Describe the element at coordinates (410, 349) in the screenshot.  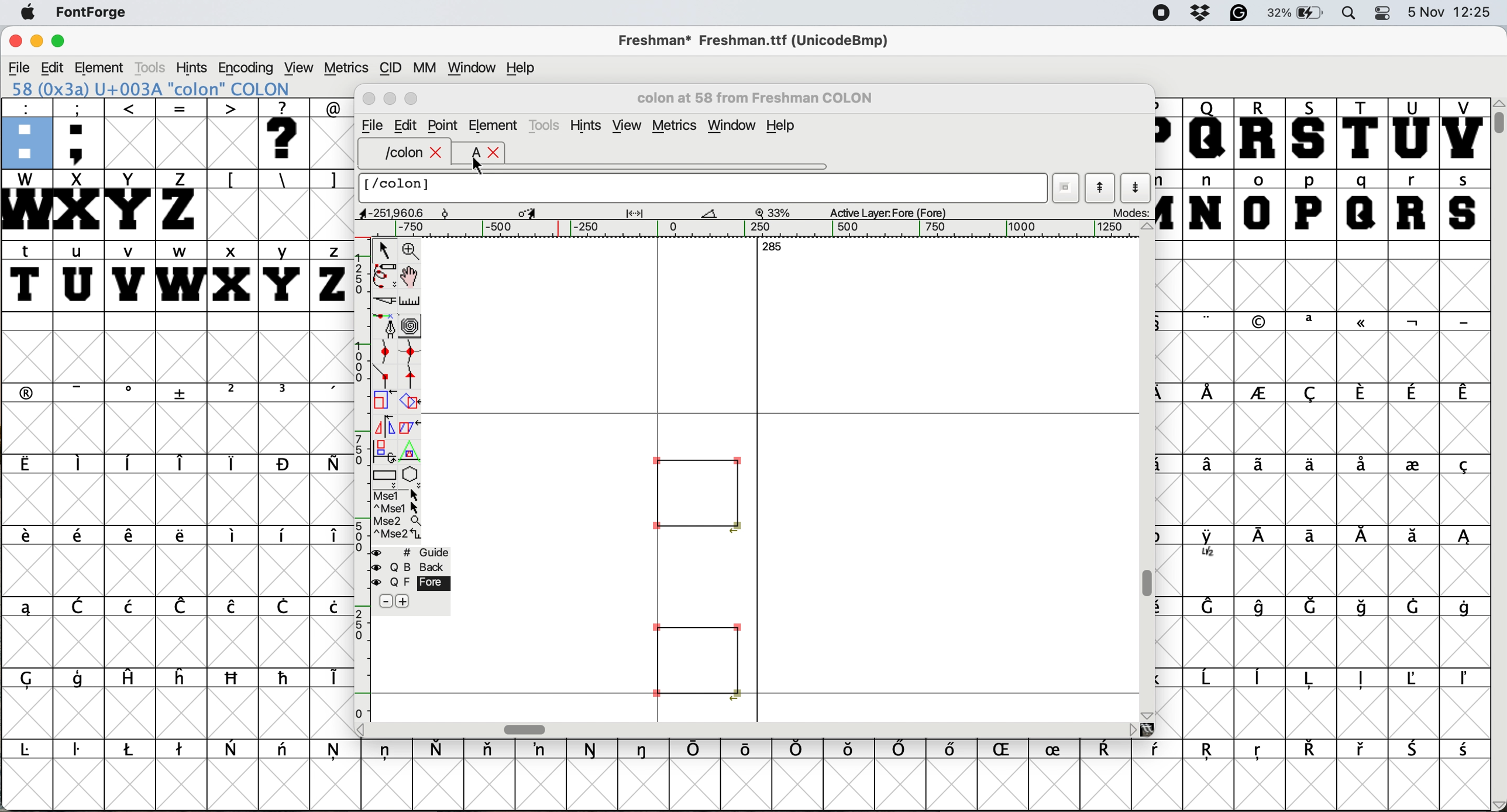
I see `add a curve point horizontal or vertical` at that location.